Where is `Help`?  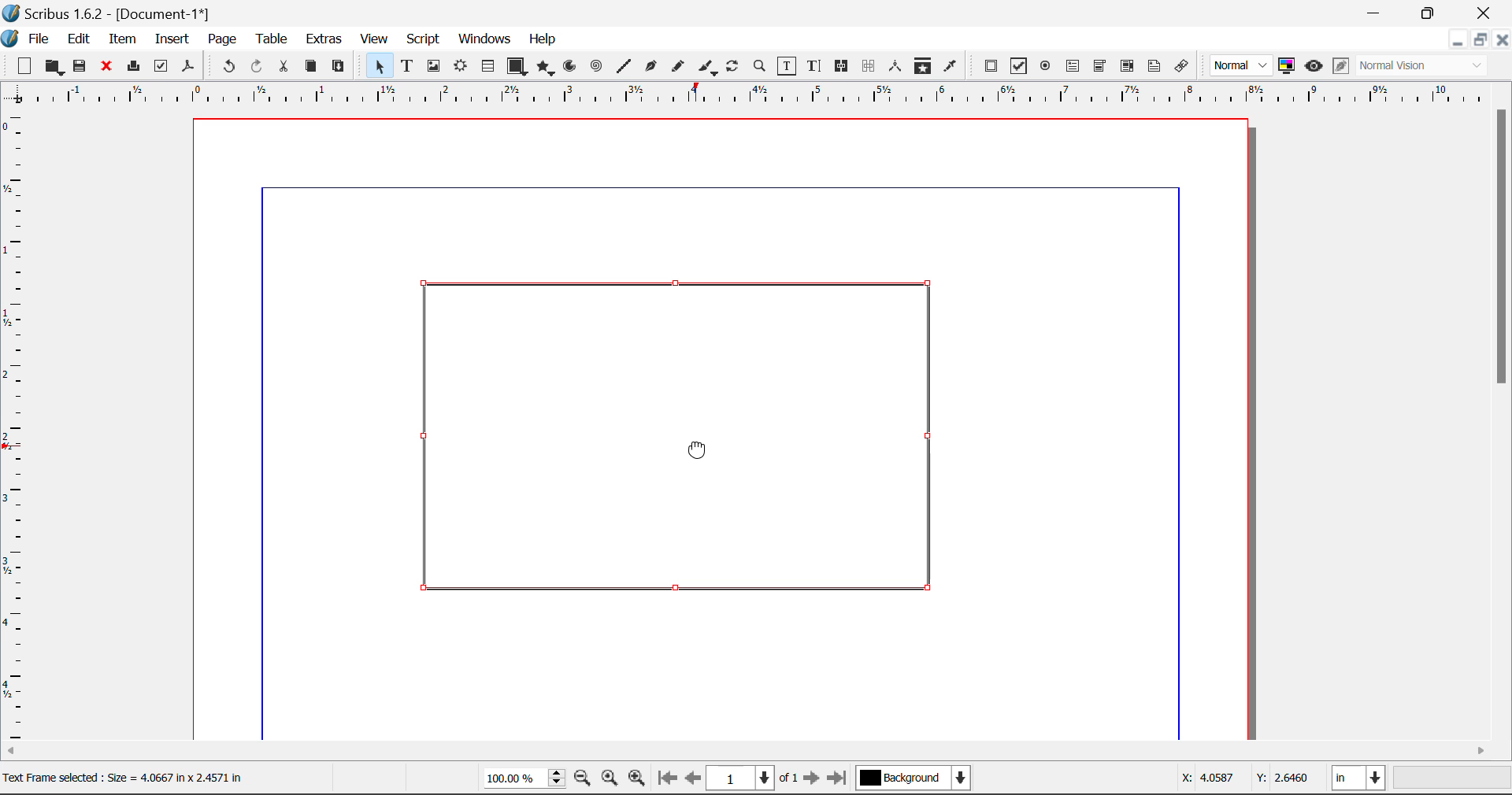 Help is located at coordinates (543, 39).